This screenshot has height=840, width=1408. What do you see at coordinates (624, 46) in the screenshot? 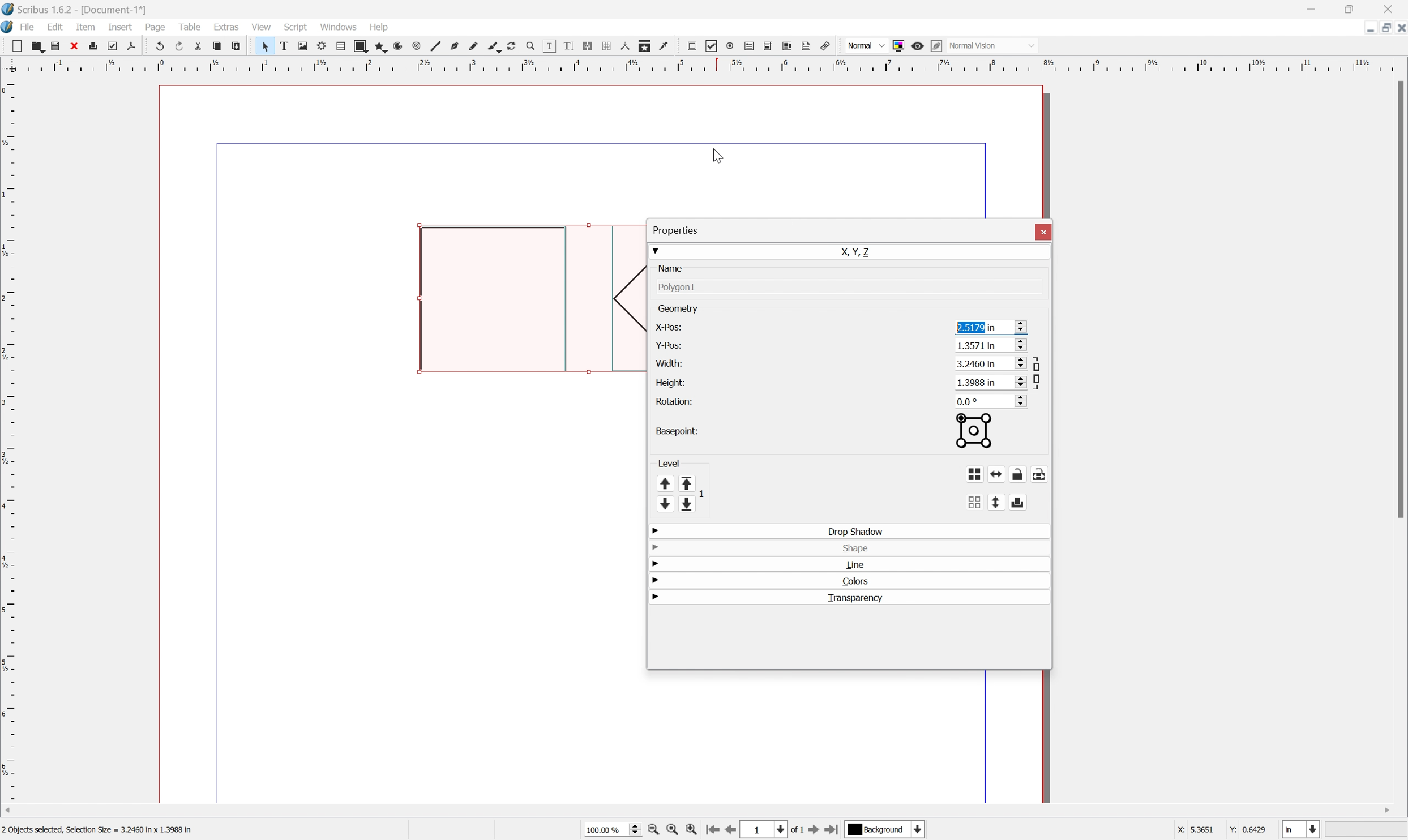
I see `measurements` at bounding box center [624, 46].